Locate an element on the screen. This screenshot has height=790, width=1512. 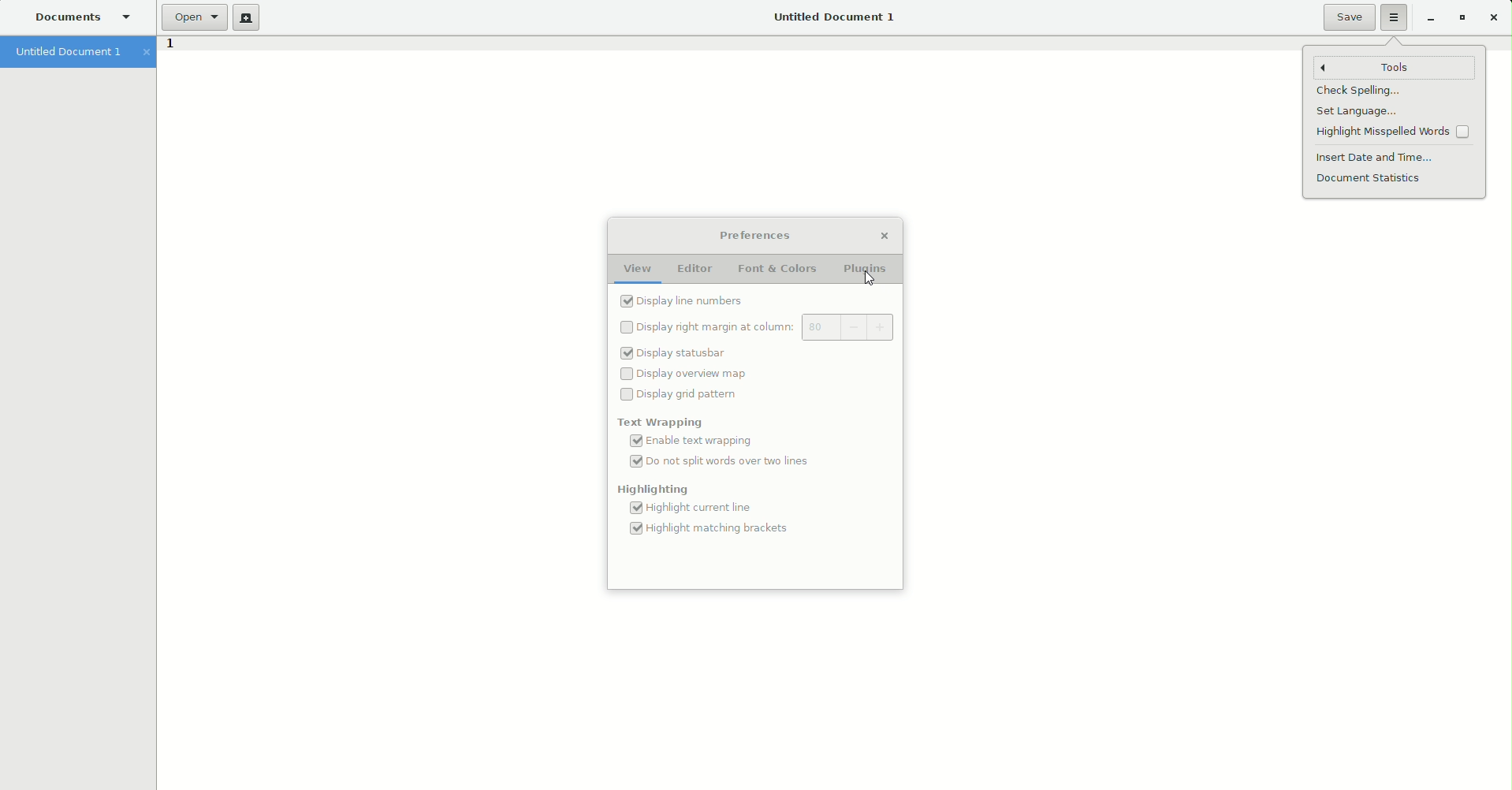
View is located at coordinates (637, 270).